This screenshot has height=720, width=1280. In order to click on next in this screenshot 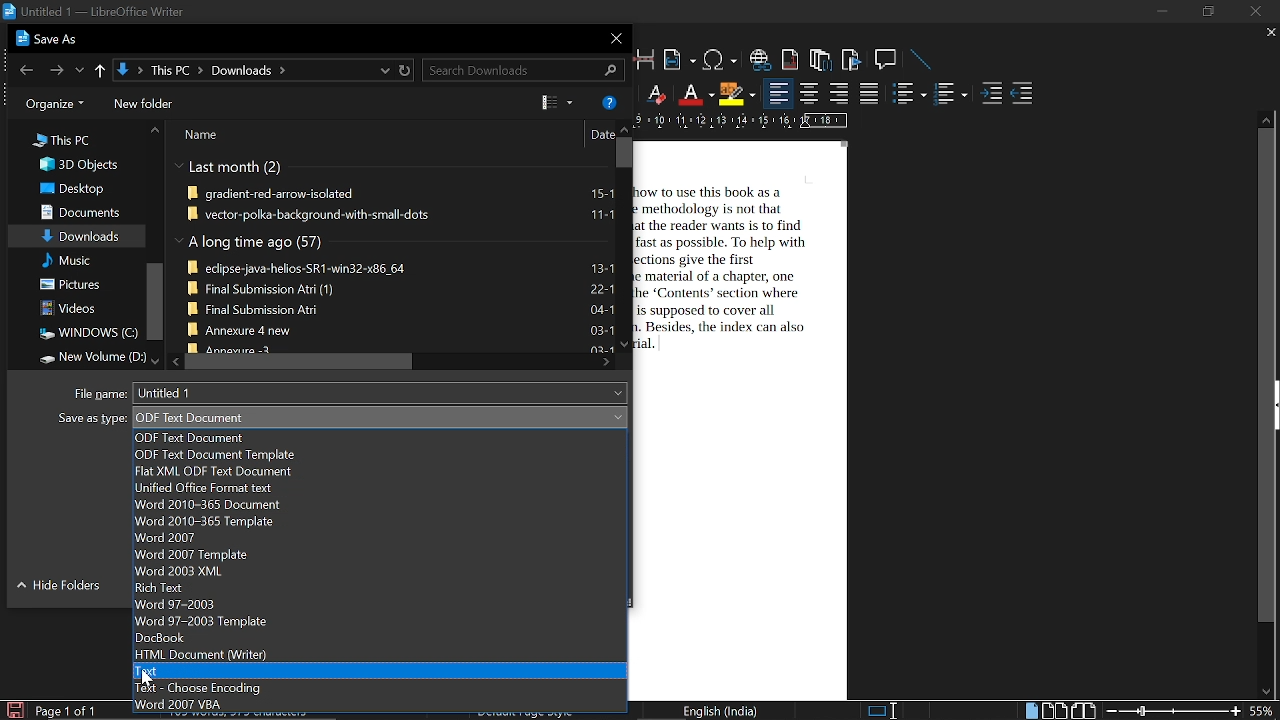, I will do `click(54, 68)`.